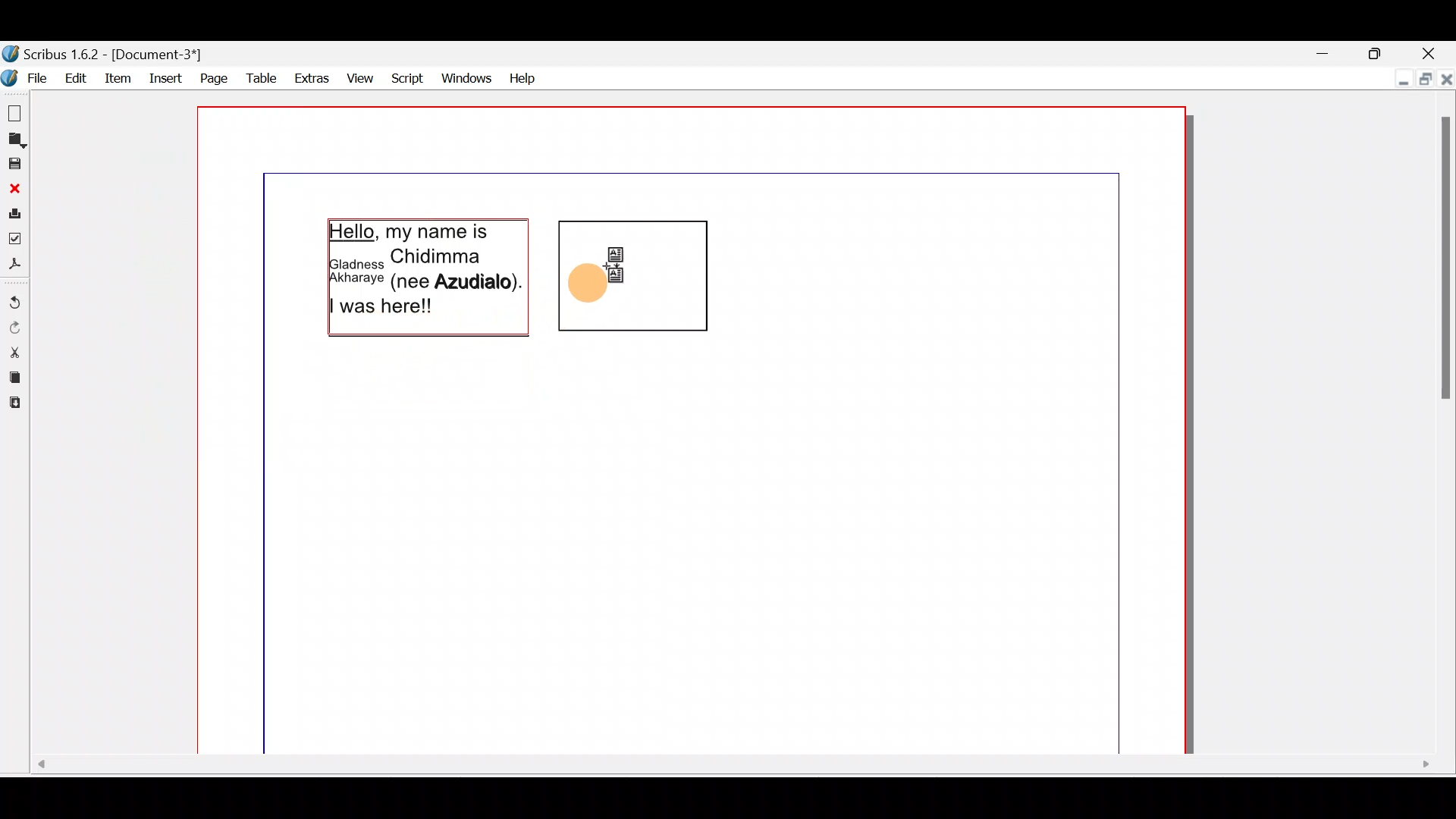 Image resolution: width=1456 pixels, height=819 pixels. Describe the element at coordinates (15, 352) in the screenshot. I see `Cut` at that location.